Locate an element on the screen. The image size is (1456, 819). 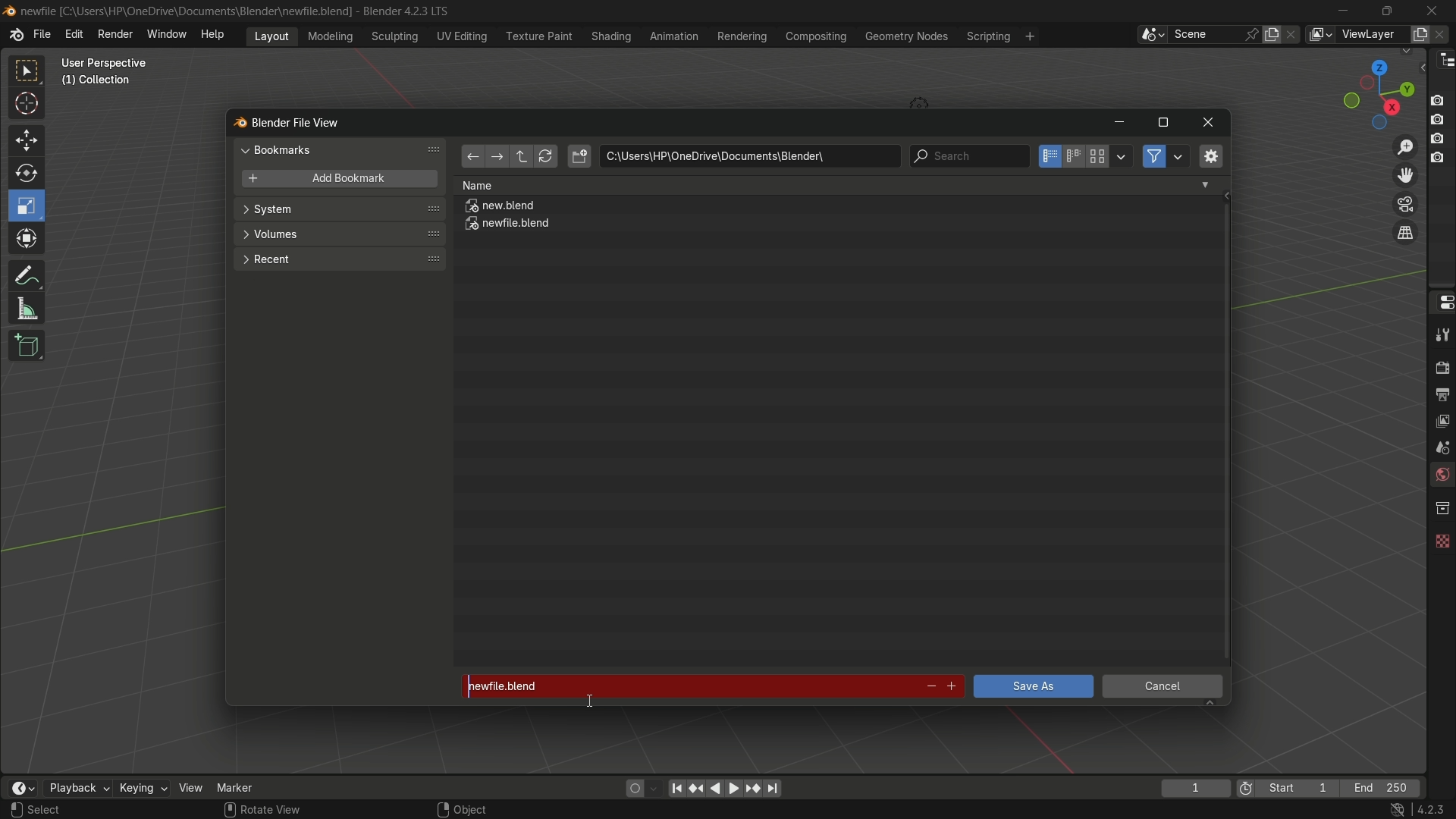
scripting menu is located at coordinates (987, 36).